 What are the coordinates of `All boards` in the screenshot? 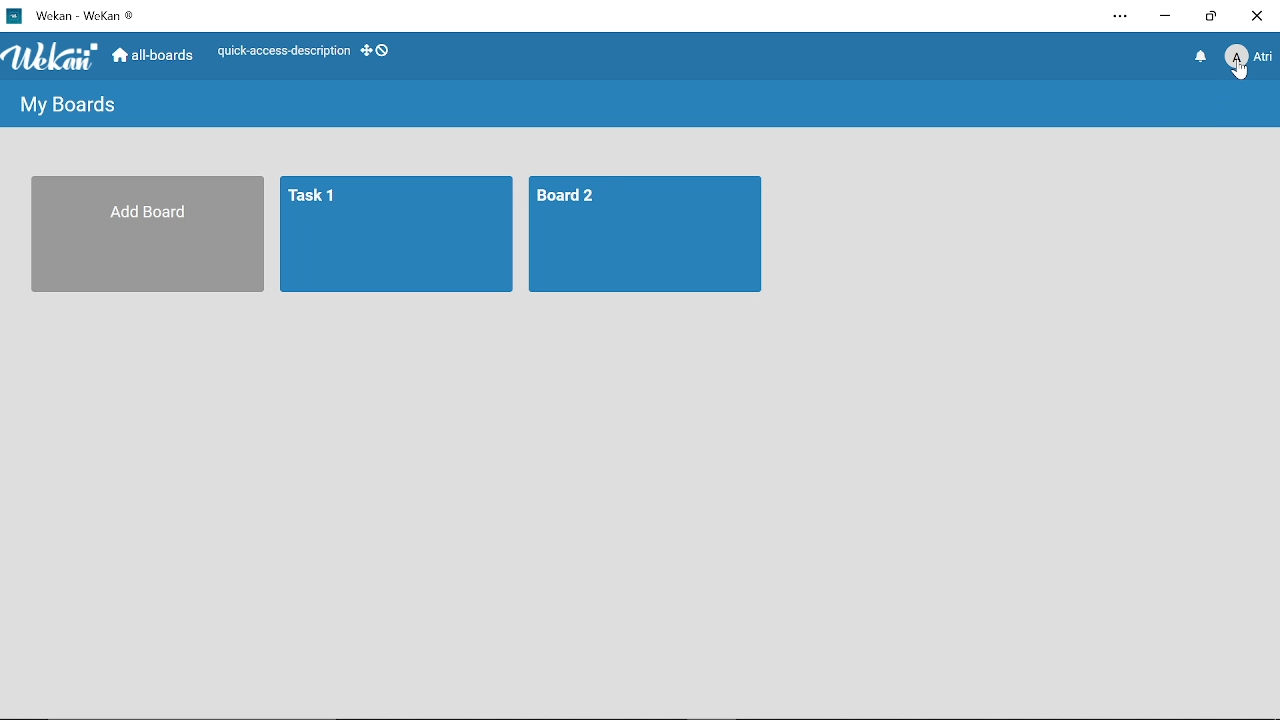 It's located at (152, 56).